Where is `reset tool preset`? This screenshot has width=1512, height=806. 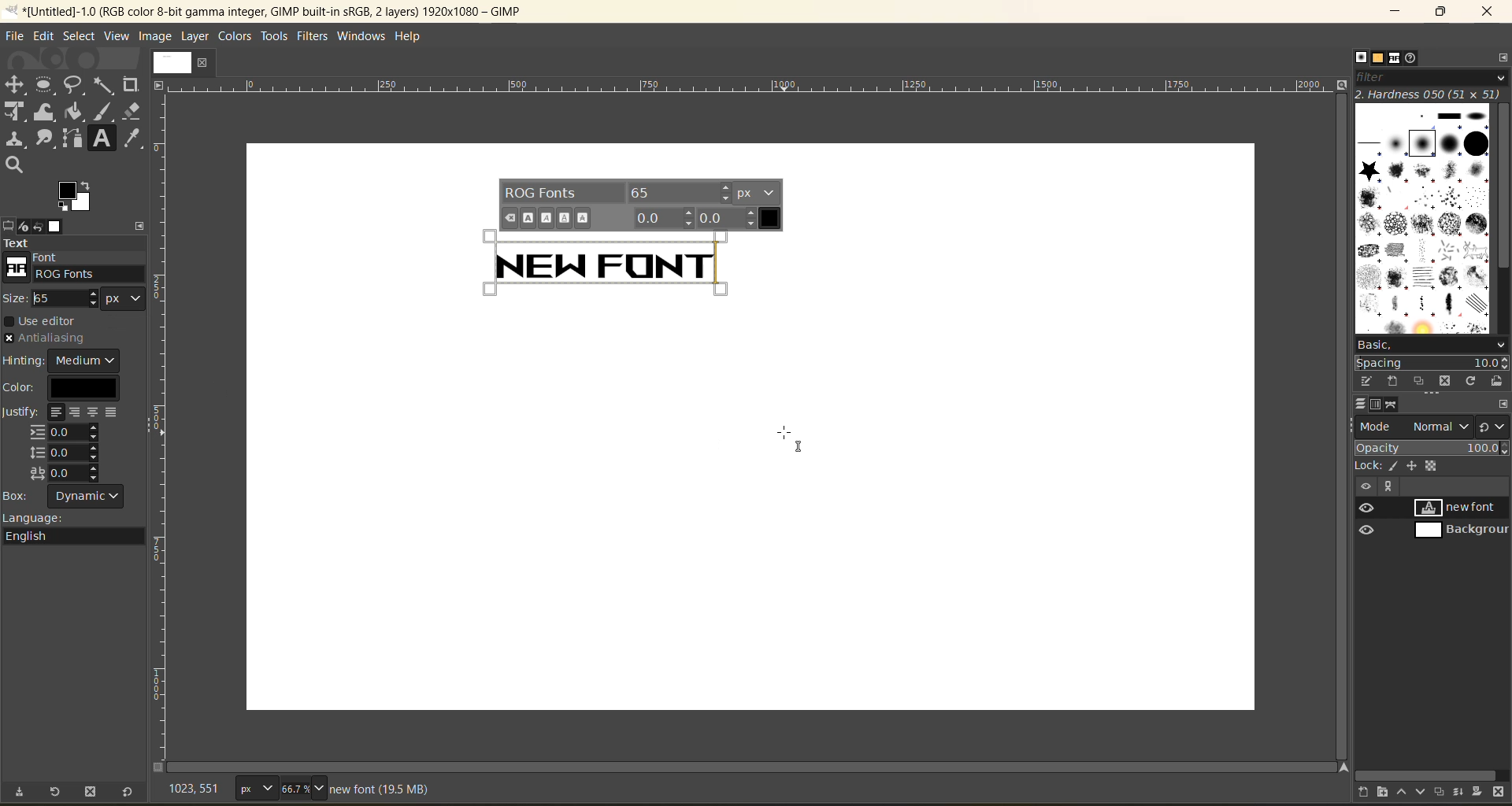
reset tool preset is located at coordinates (128, 793).